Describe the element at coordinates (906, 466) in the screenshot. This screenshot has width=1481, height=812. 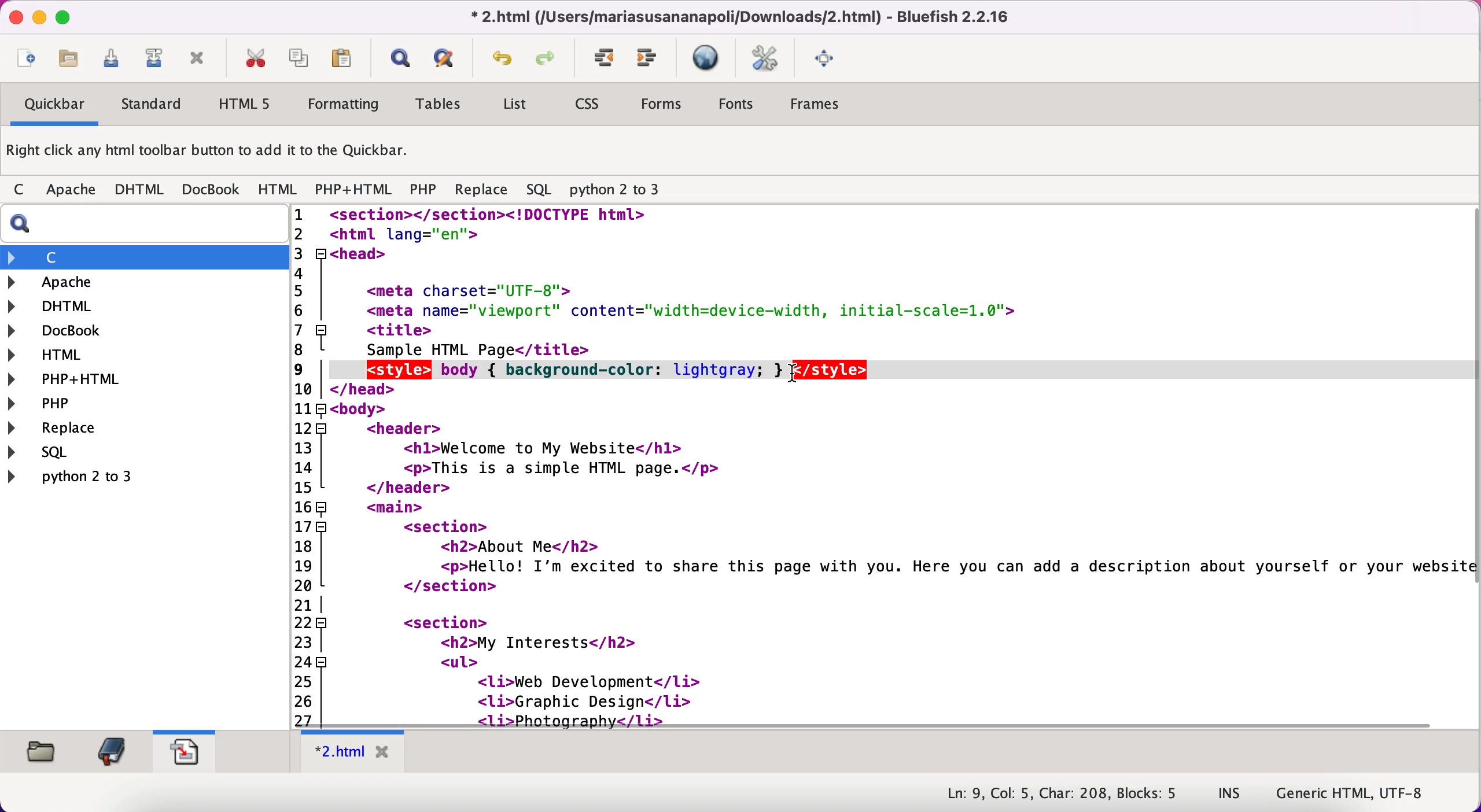
I see `Html code to create a website. It talks about "This is my website" in the header. In the <main> section it says "Hello! I am excited to share this page with you." It also lists different interests under "My interests" and provides the html code for designing the entire structure of the website. ` at that location.